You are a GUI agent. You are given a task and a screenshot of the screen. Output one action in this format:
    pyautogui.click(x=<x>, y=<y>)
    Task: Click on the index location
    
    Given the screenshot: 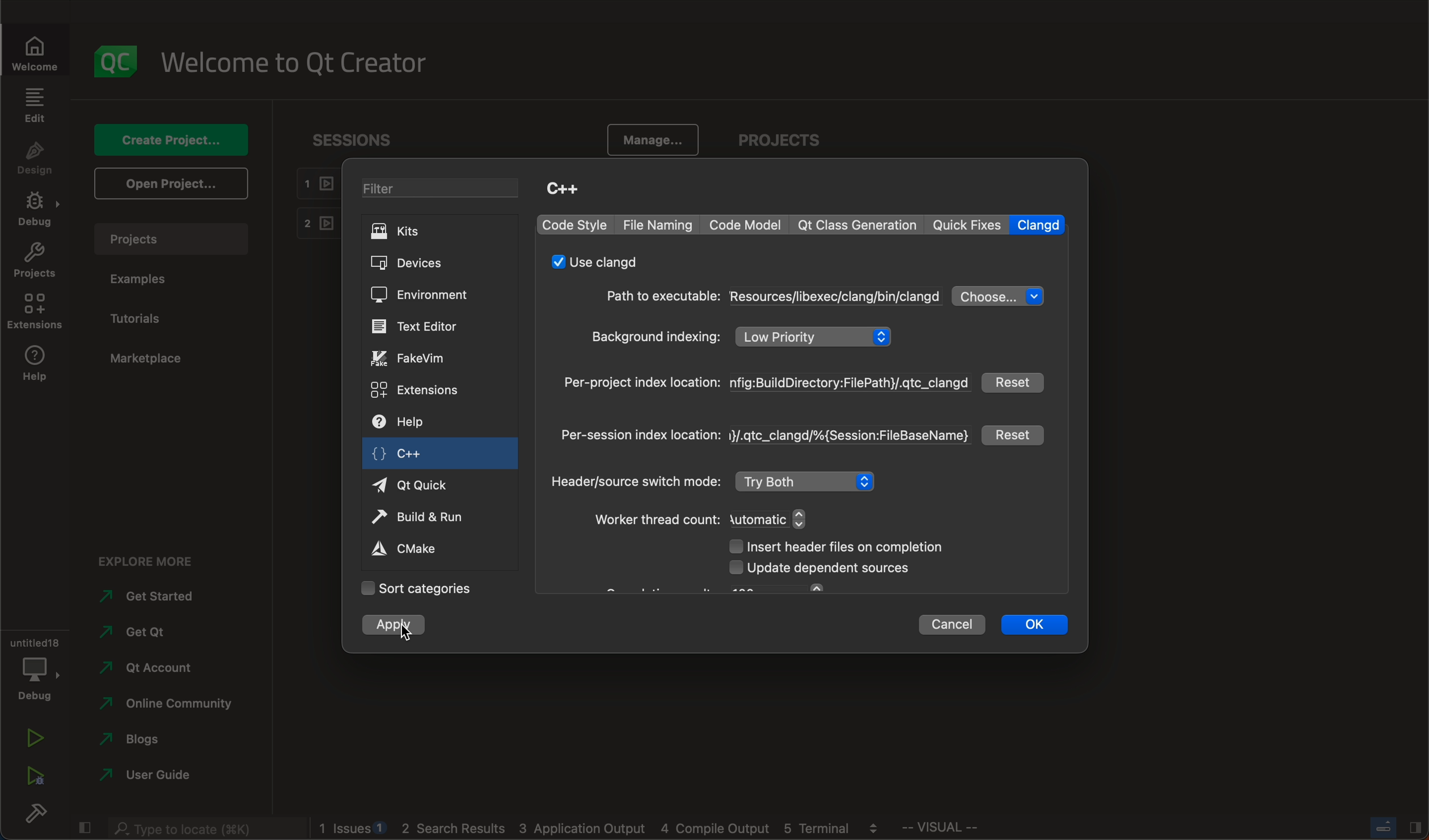 What is the action you would take?
    pyautogui.click(x=764, y=437)
    